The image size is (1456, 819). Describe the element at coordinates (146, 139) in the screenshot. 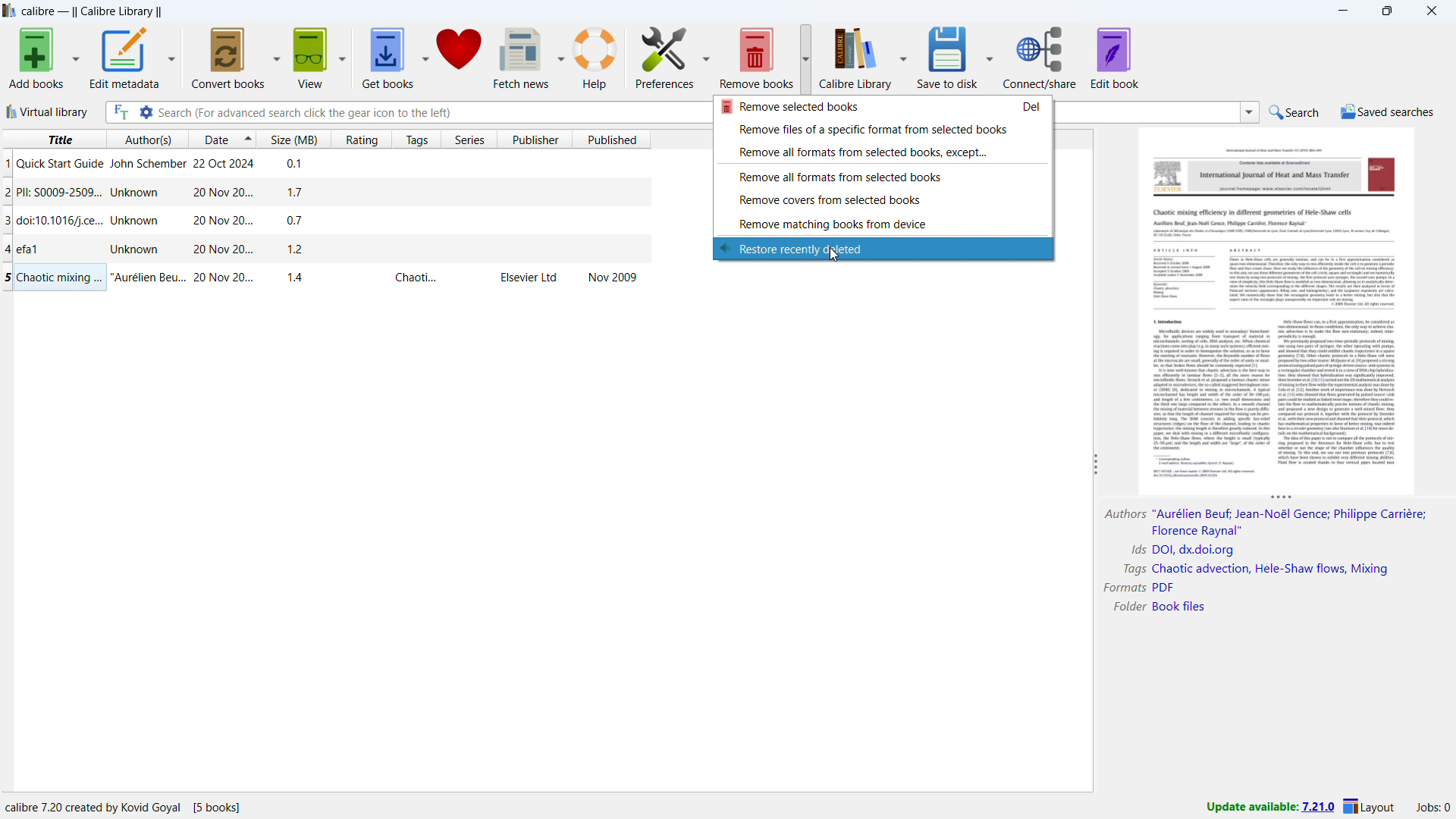

I see `sort by author` at that location.